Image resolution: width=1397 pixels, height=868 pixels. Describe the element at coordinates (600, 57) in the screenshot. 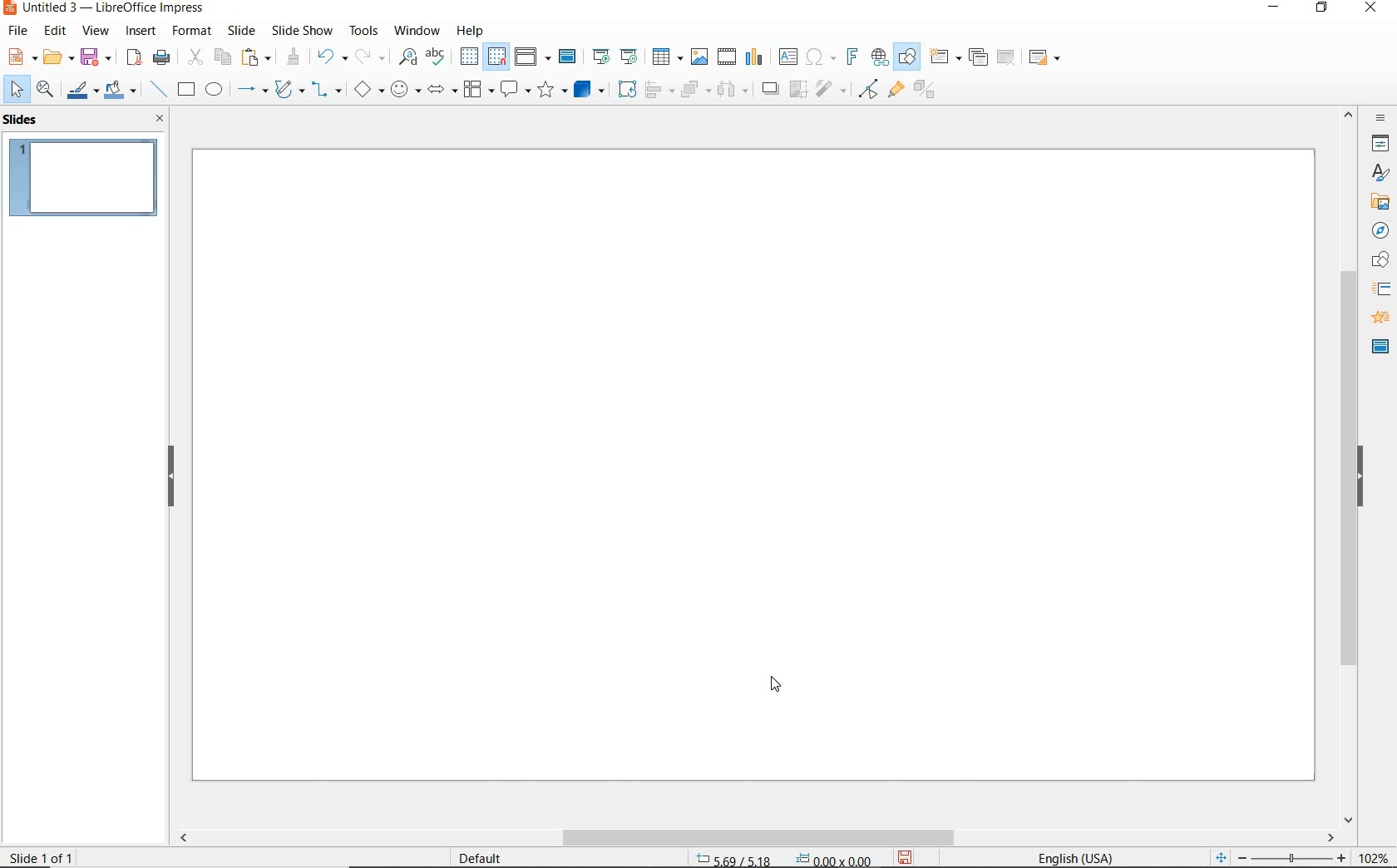

I see `START FROM FIRST SLIDE` at that location.